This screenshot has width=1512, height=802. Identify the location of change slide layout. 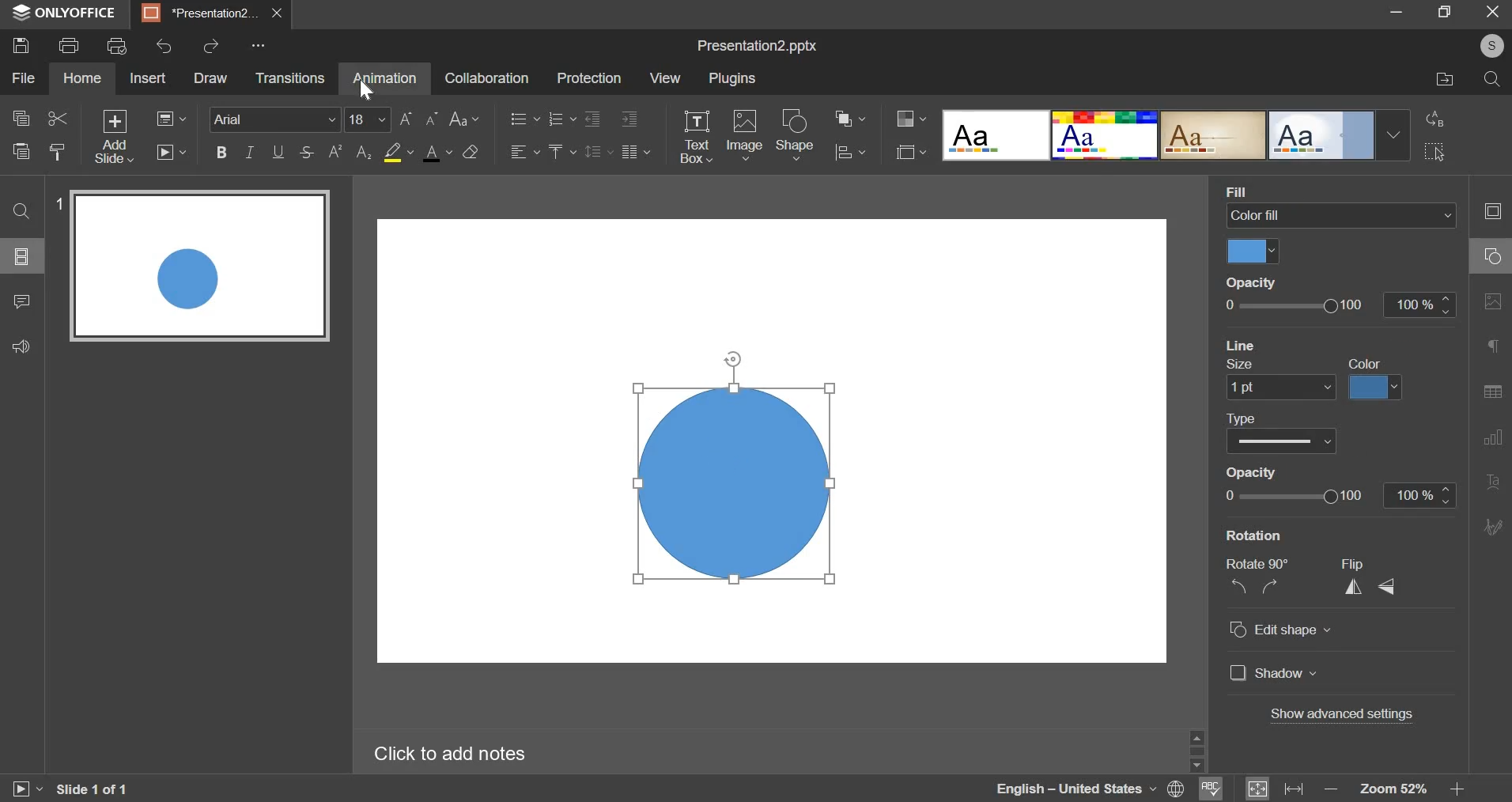
(170, 118).